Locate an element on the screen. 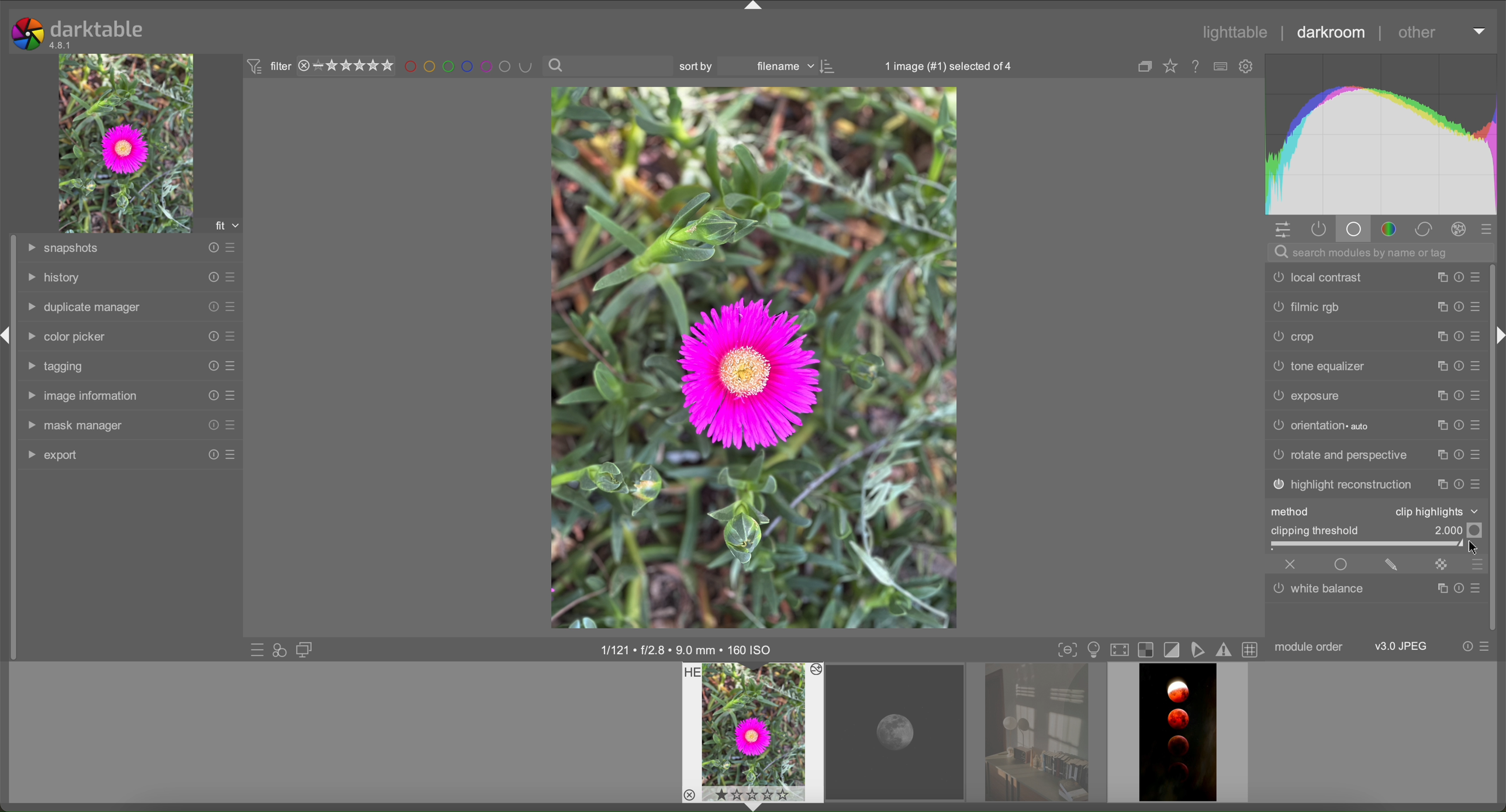  search bar is located at coordinates (1383, 253).